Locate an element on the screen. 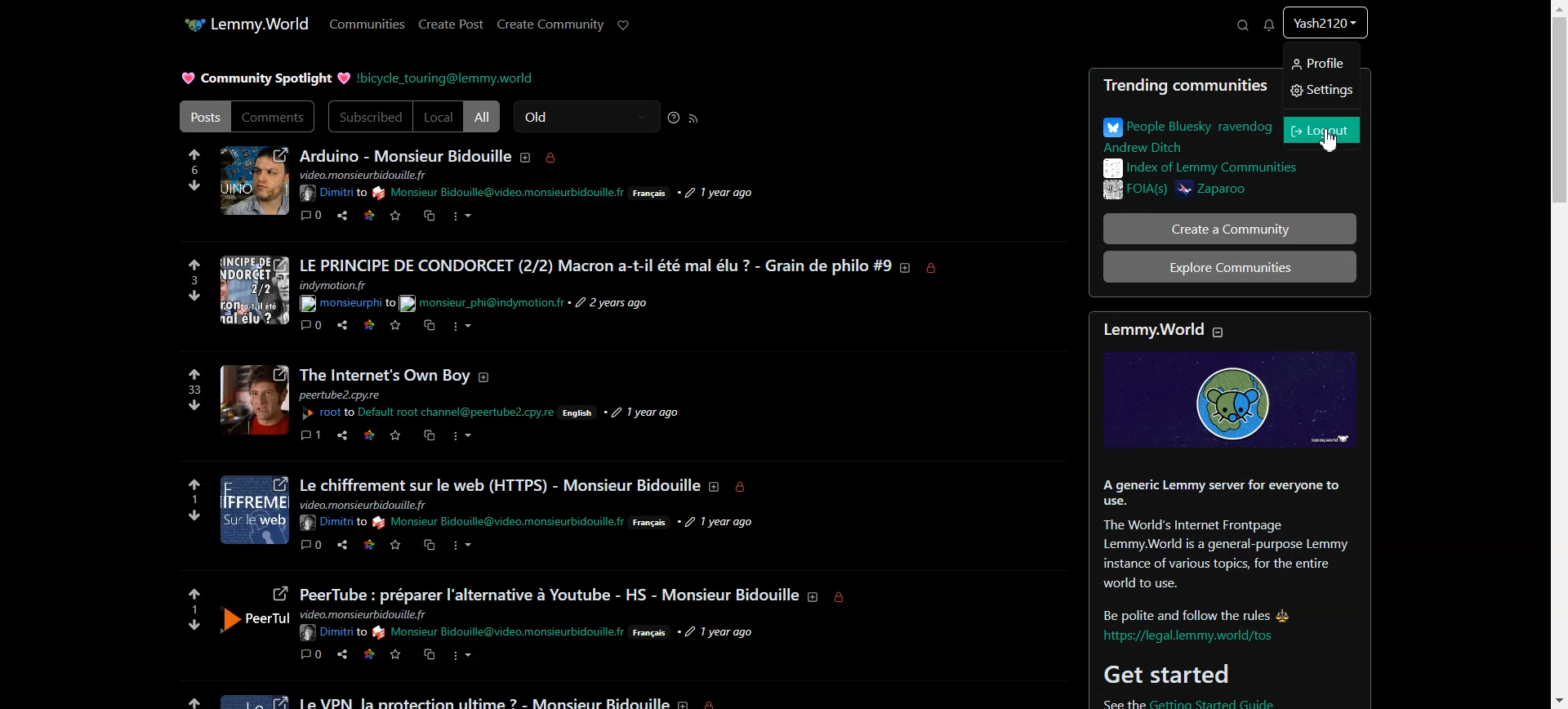 Image resolution: width=1568 pixels, height=709 pixels. profile picture is located at coordinates (254, 291).